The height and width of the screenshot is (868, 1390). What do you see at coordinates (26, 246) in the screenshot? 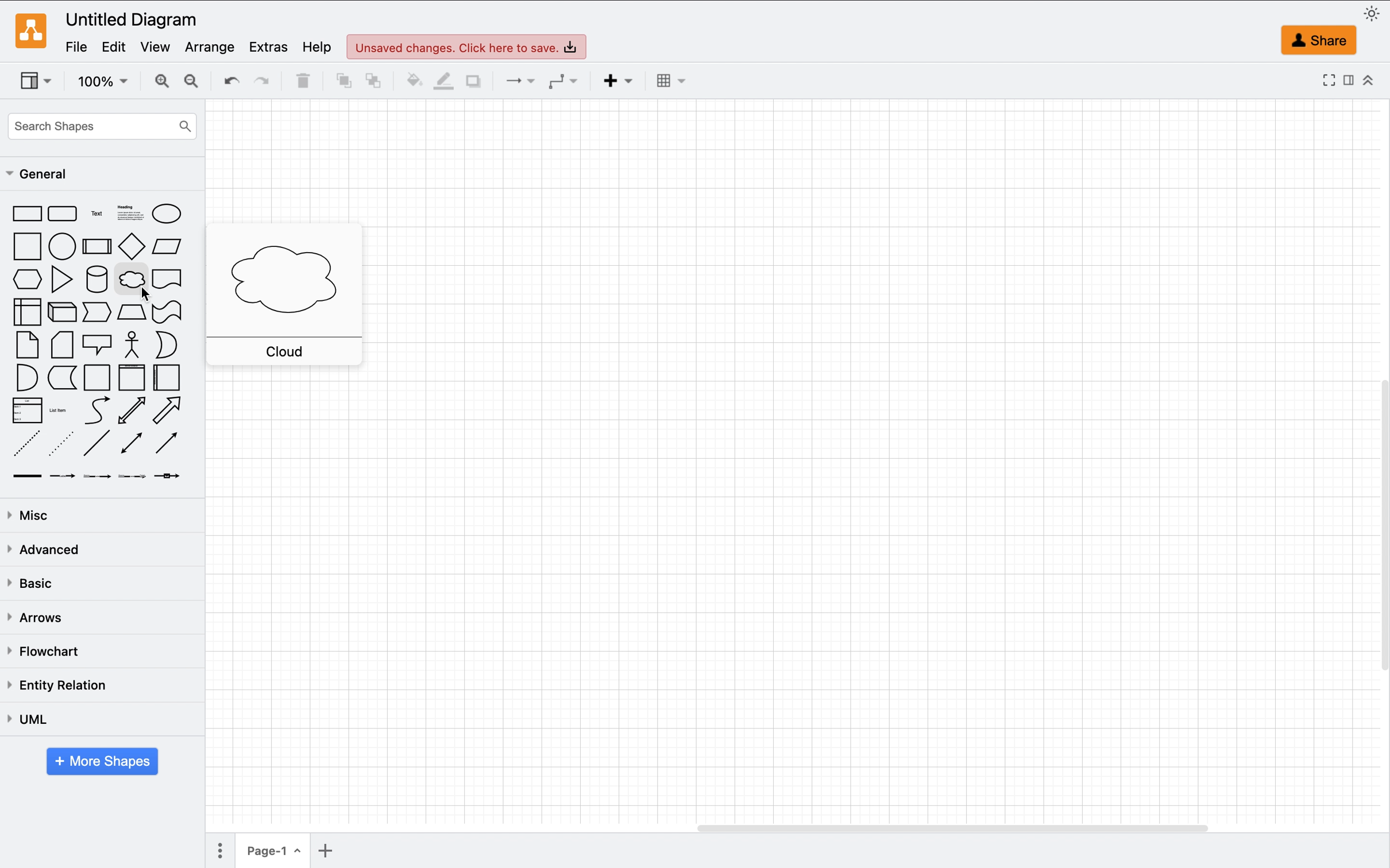
I see `square` at bounding box center [26, 246].